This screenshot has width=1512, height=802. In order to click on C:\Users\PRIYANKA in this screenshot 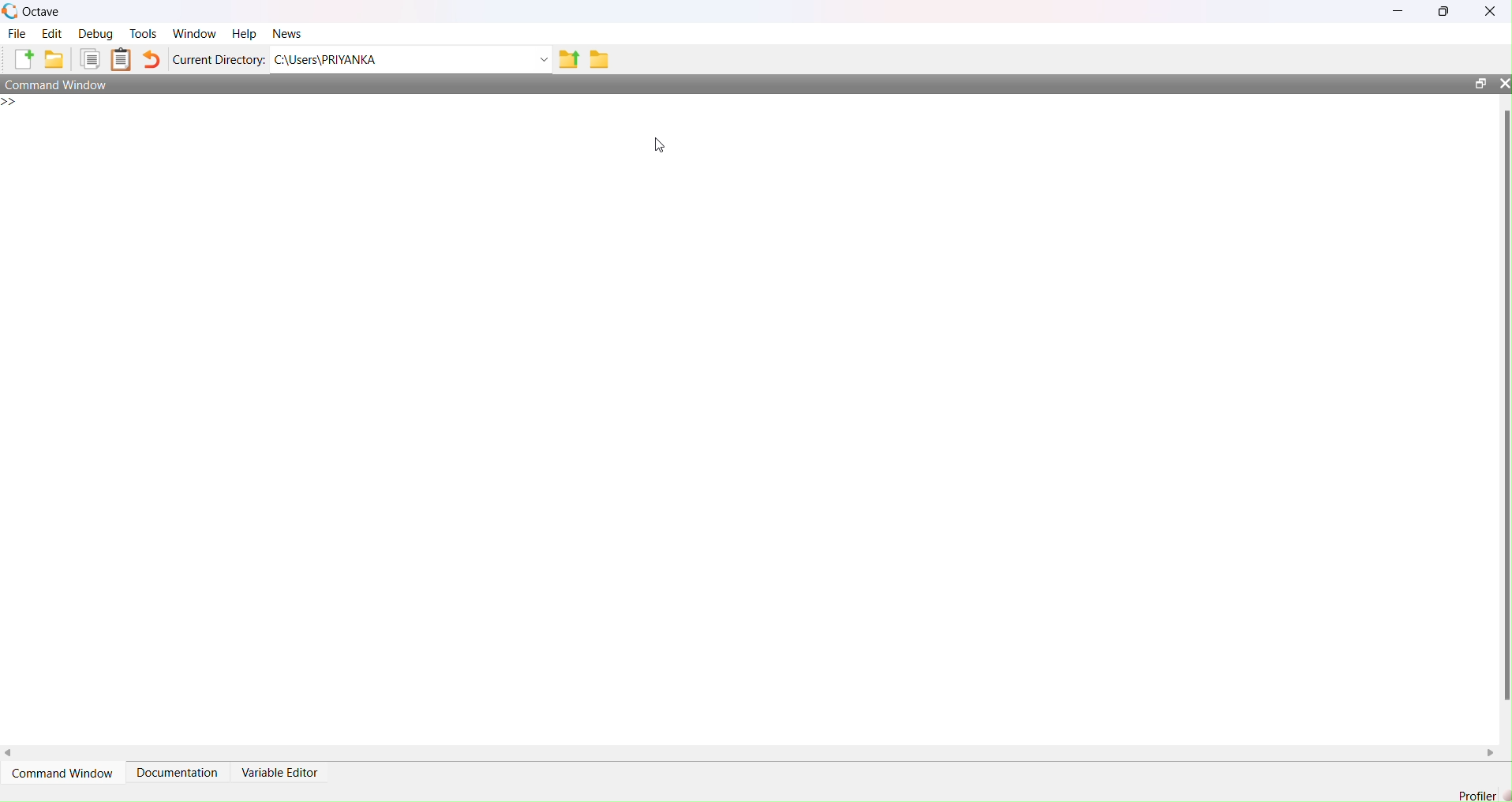, I will do `click(352, 62)`.